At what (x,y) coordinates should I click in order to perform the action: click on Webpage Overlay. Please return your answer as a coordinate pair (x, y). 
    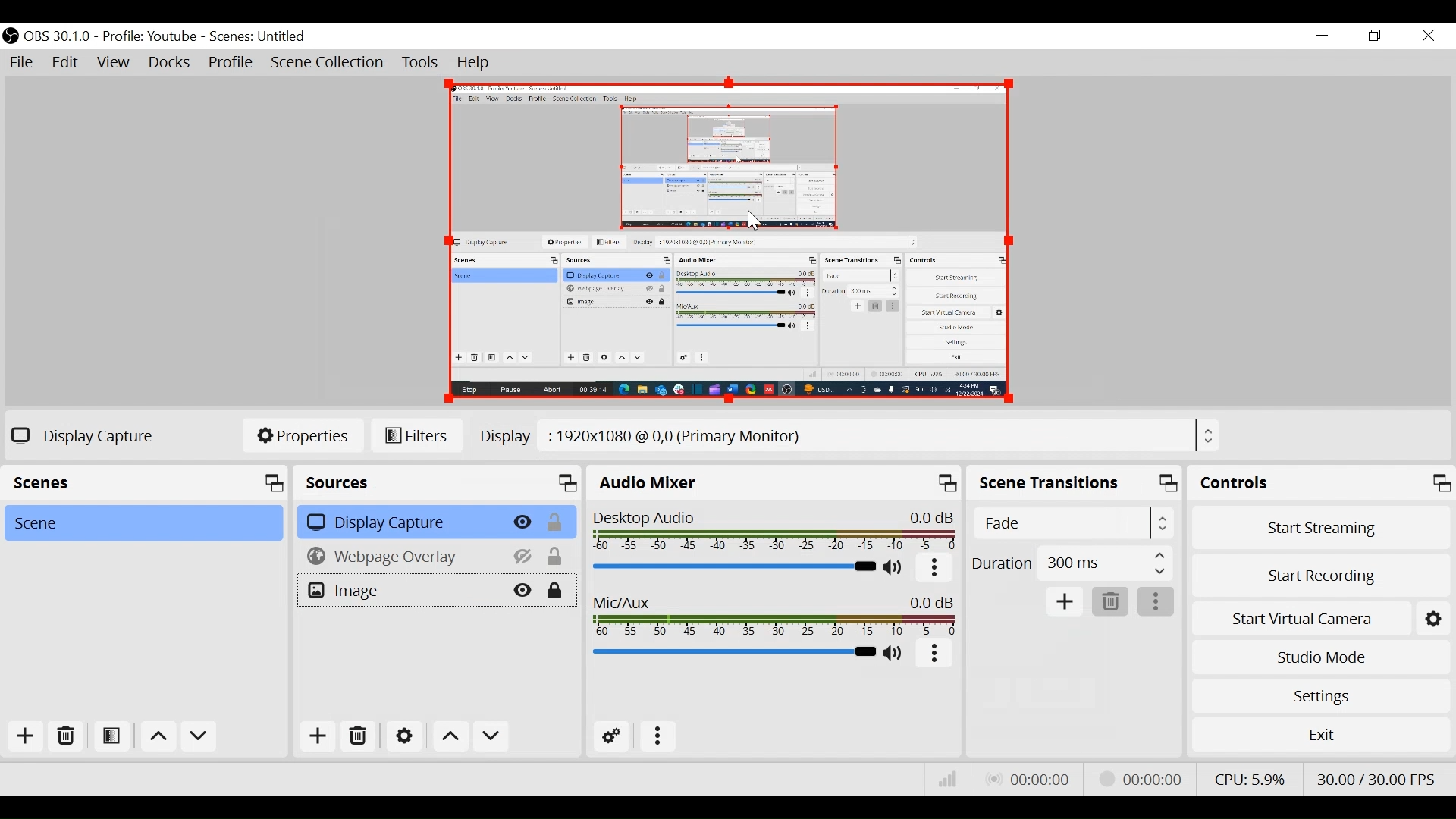
    Looking at the image, I should click on (397, 557).